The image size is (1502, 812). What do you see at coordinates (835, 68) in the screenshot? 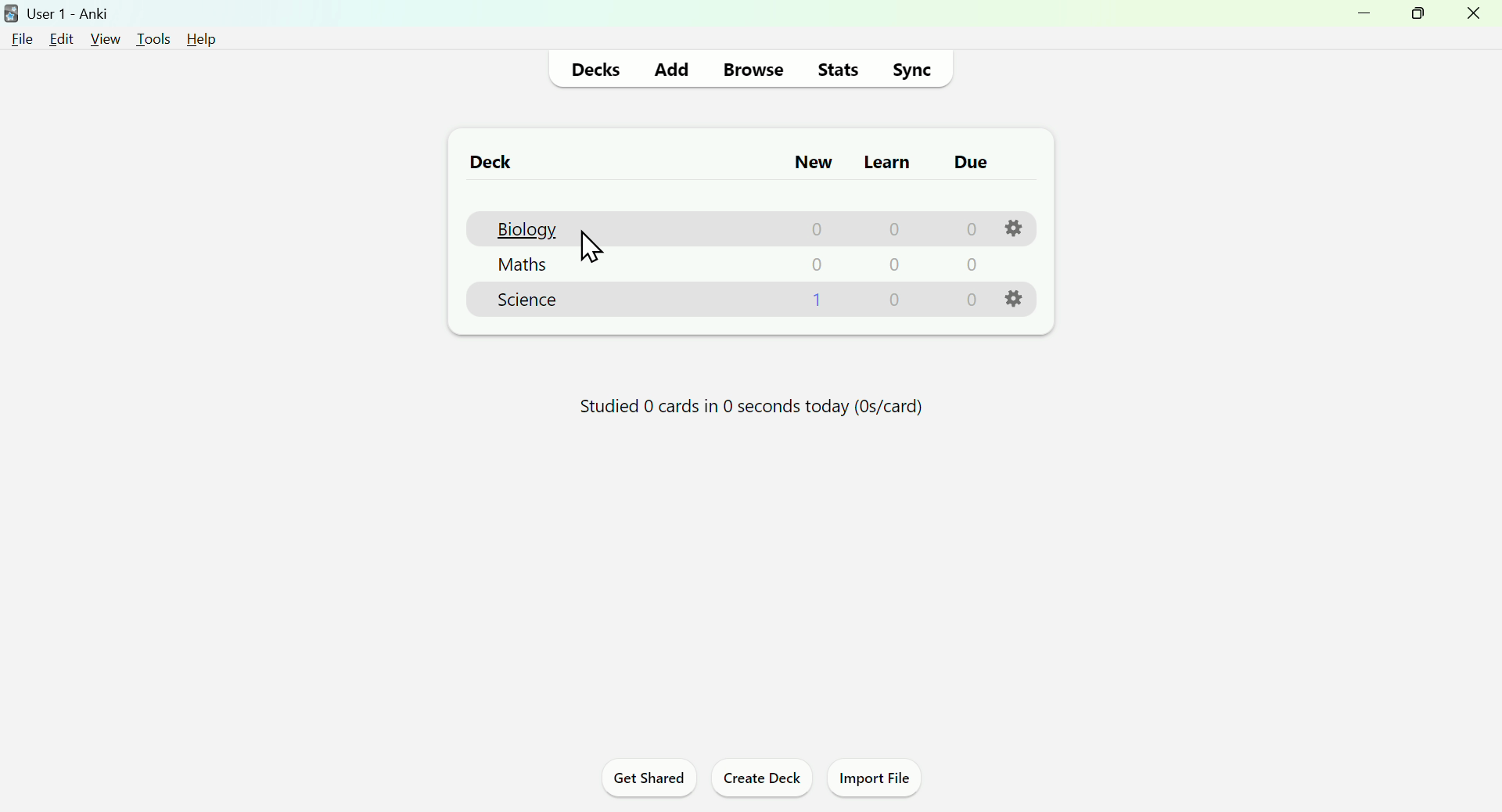
I see `Stats` at bounding box center [835, 68].